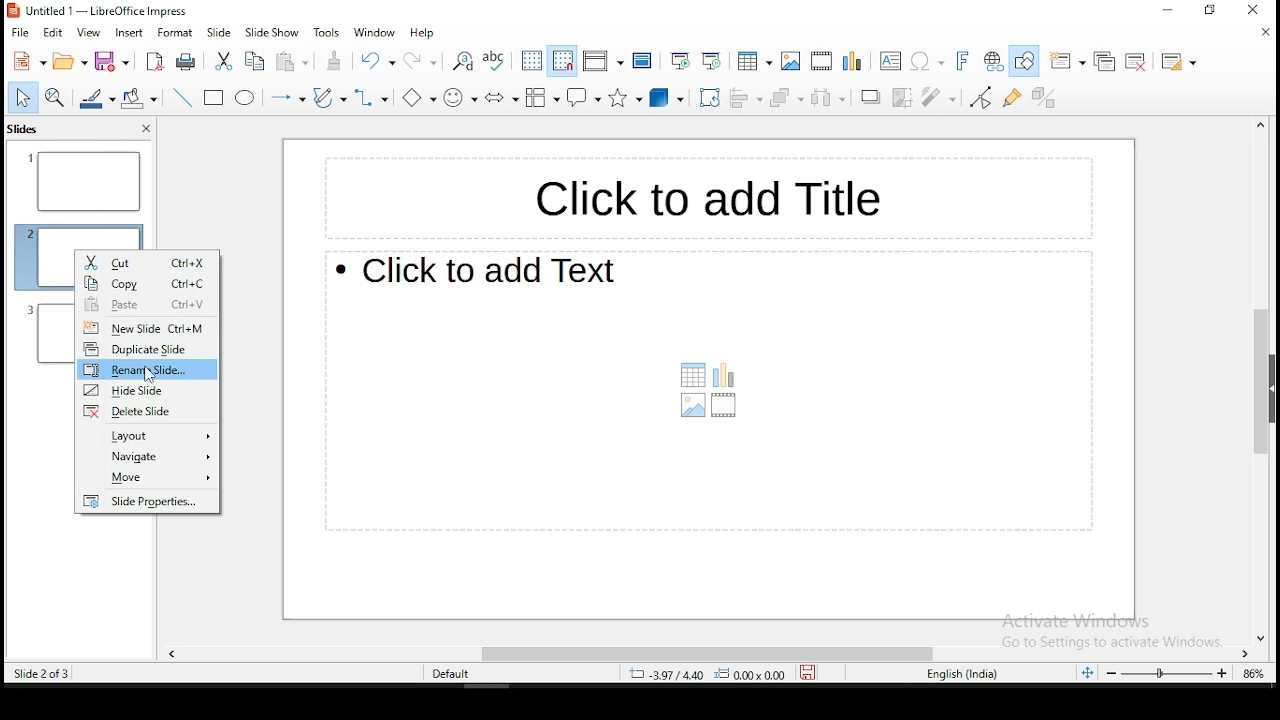 This screenshot has width=1280, height=720. I want to click on insert special characters, so click(928, 61).